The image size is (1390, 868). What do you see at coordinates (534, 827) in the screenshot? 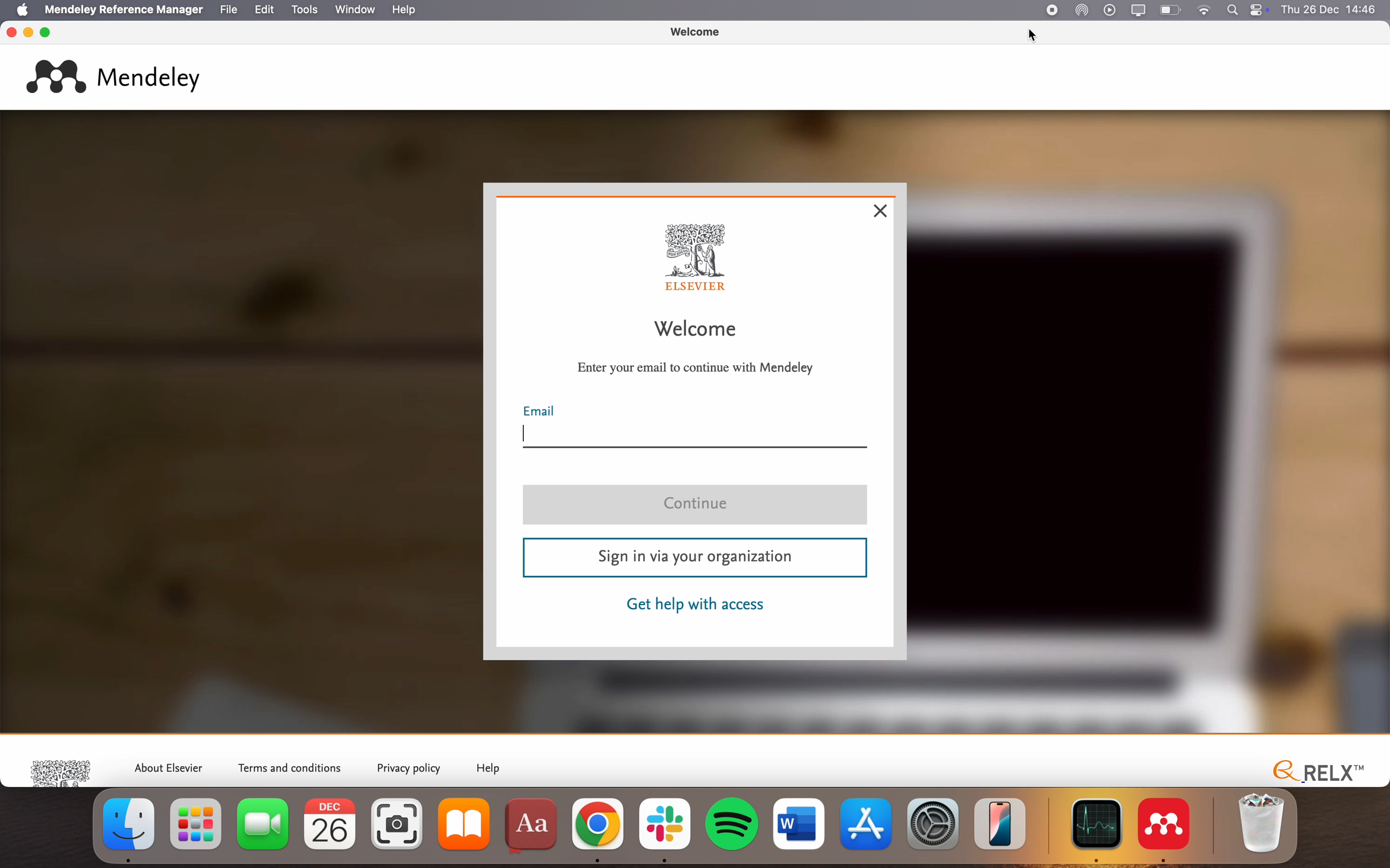
I see `dictonary` at bounding box center [534, 827].